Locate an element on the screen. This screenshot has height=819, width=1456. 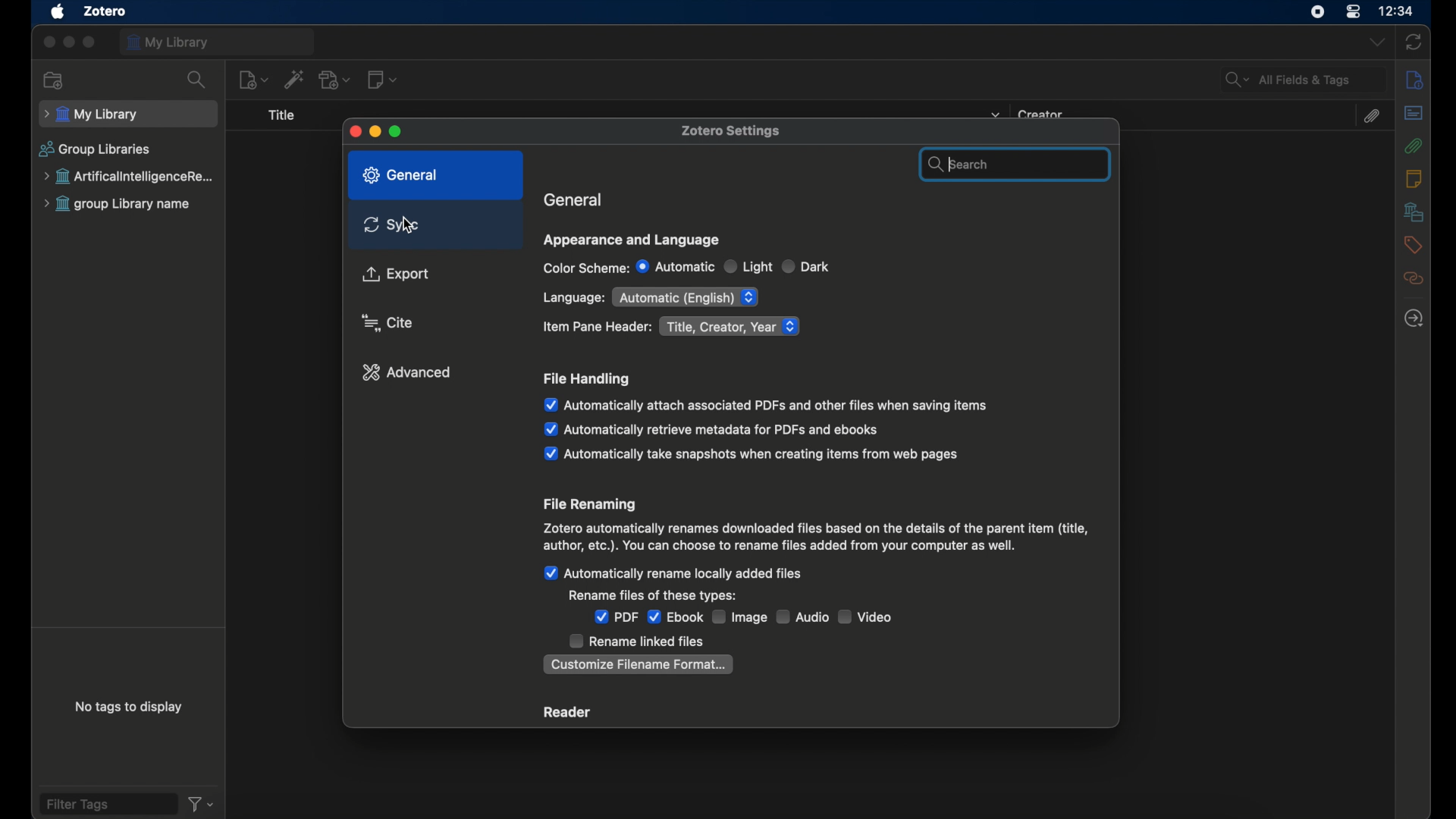
minimize is located at coordinates (375, 132).